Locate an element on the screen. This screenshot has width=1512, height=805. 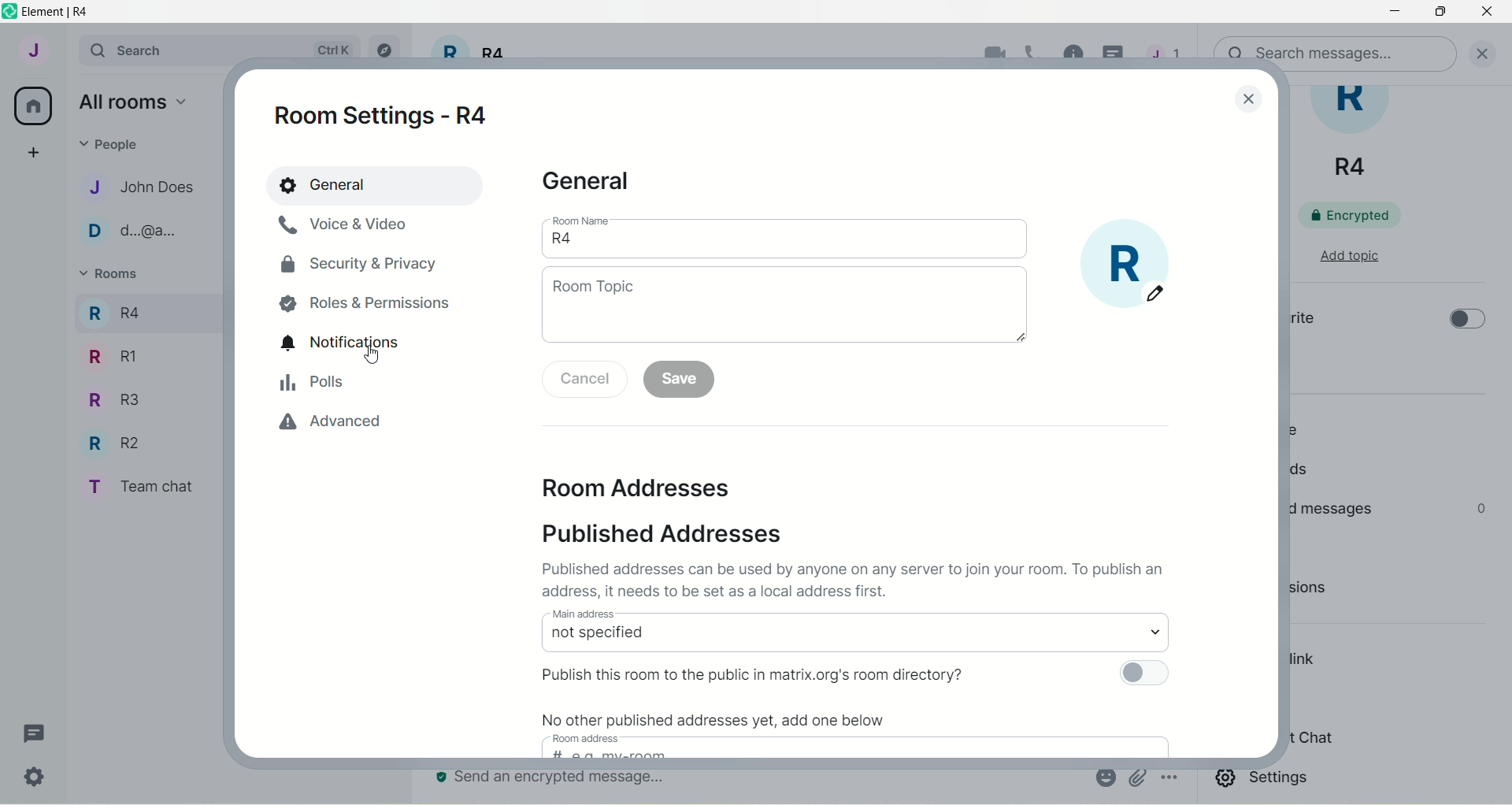
room title is located at coordinates (1359, 134).